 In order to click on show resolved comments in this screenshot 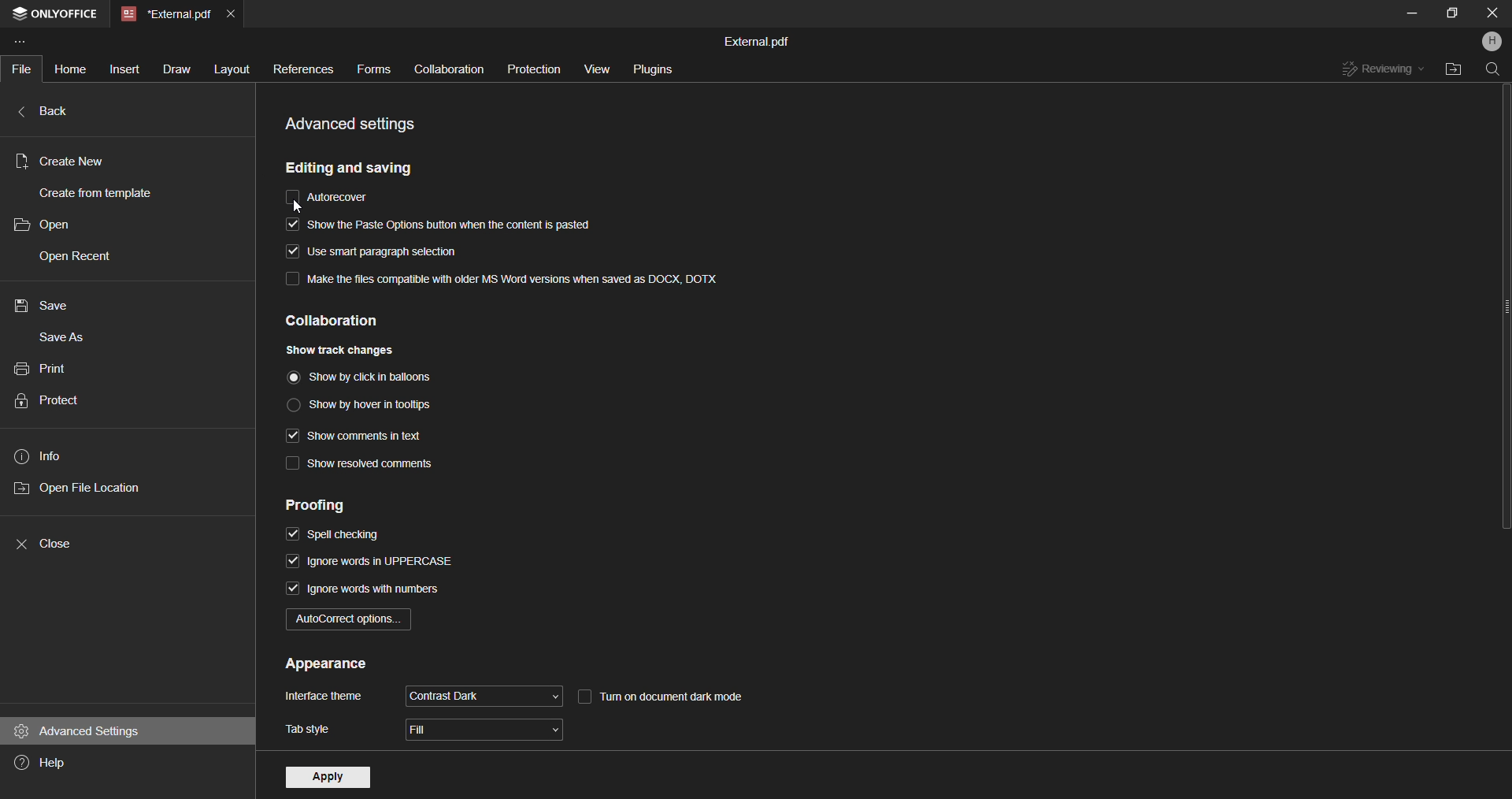, I will do `click(362, 466)`.